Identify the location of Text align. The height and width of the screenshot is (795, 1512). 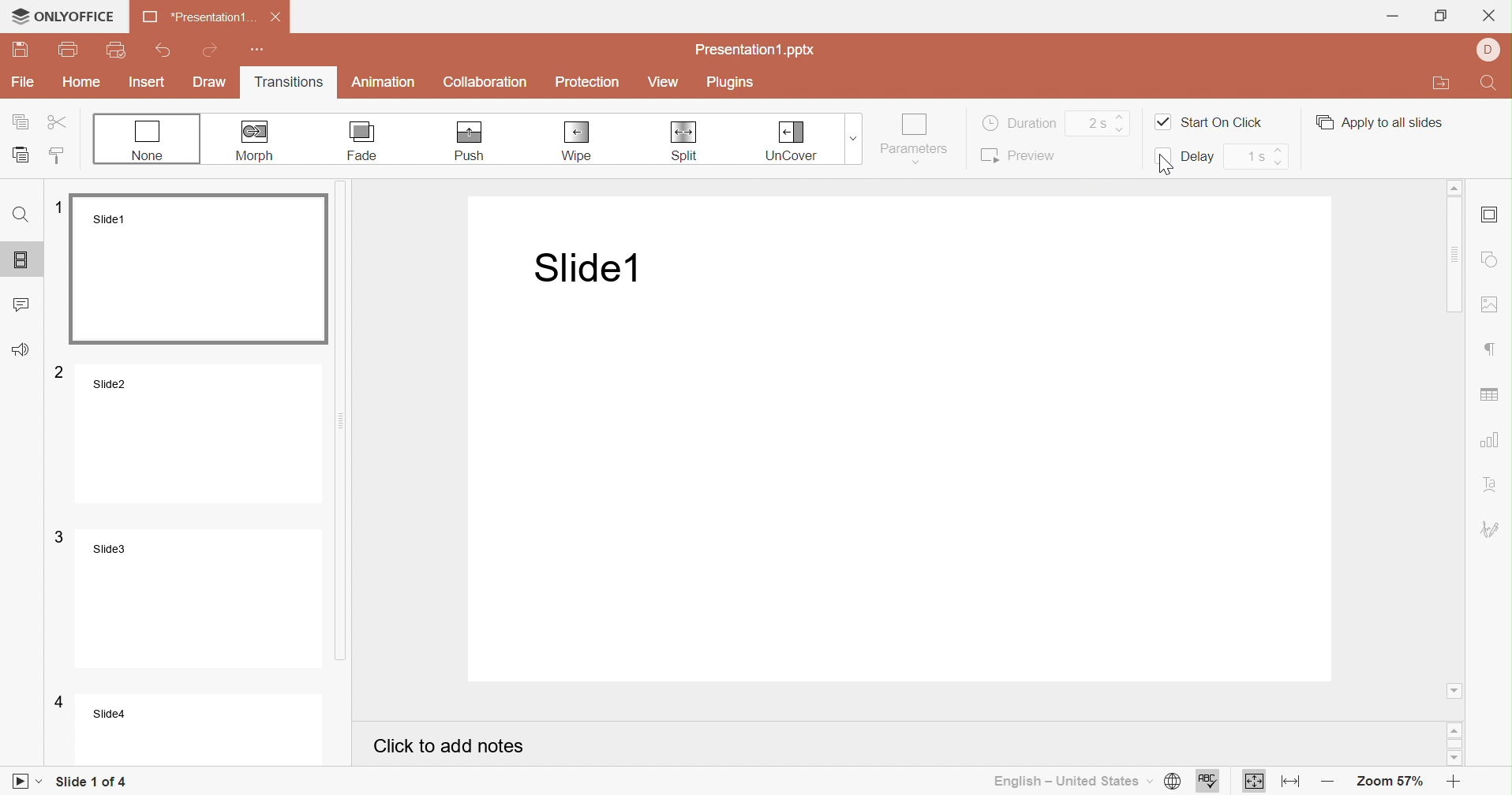
(1493, 483).